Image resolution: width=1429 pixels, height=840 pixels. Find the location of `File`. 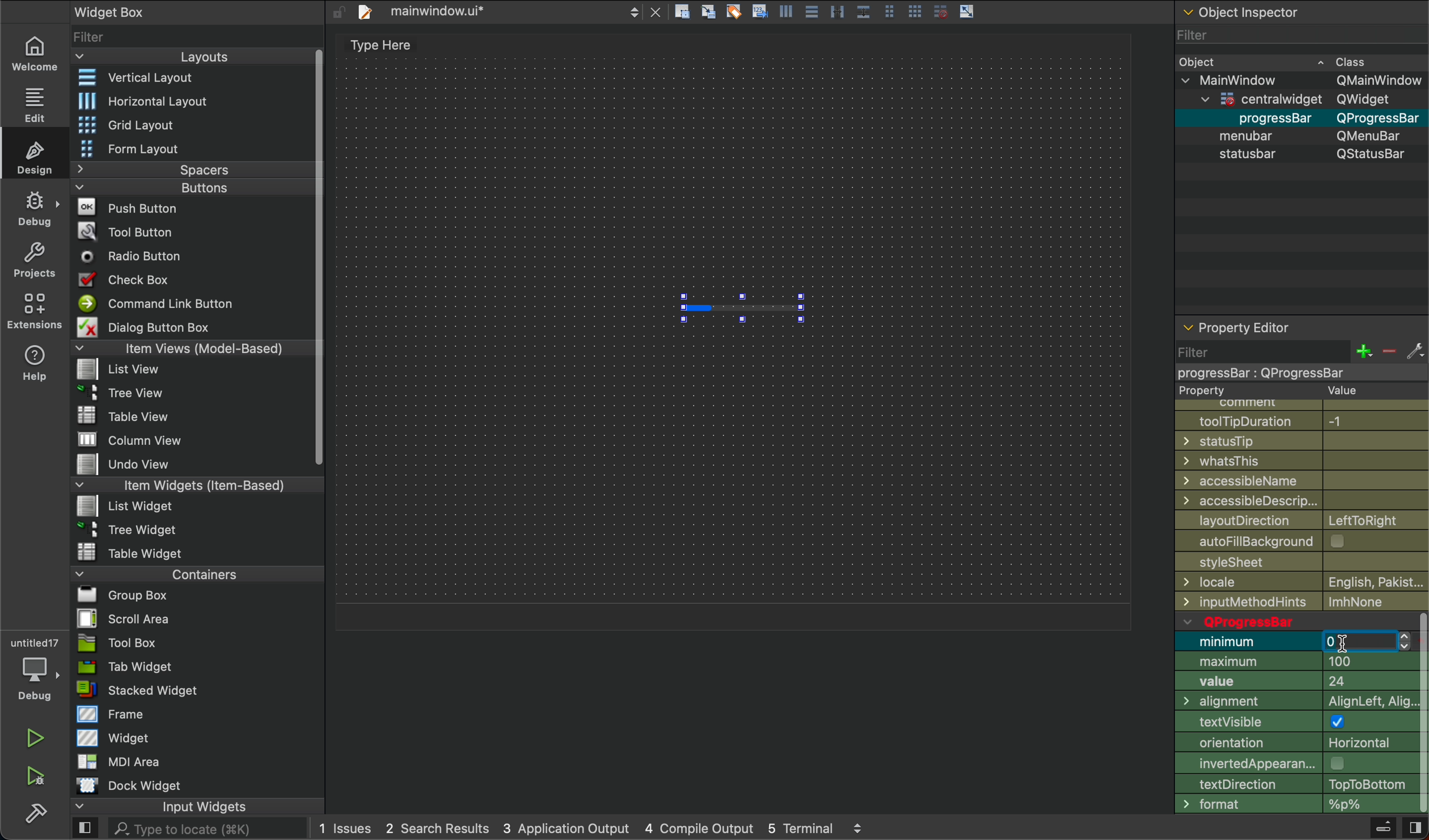

File is located at coordinates (137, 465).